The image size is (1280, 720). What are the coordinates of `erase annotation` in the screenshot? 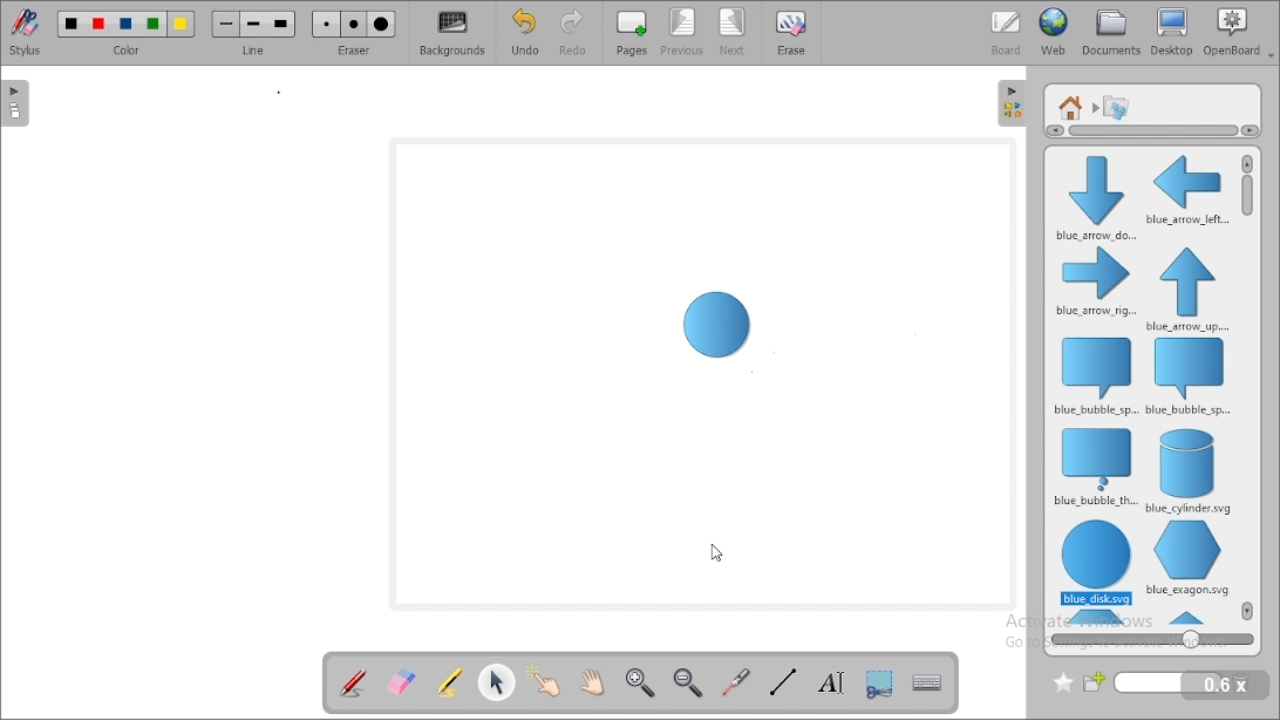 It's located at (402, 681).